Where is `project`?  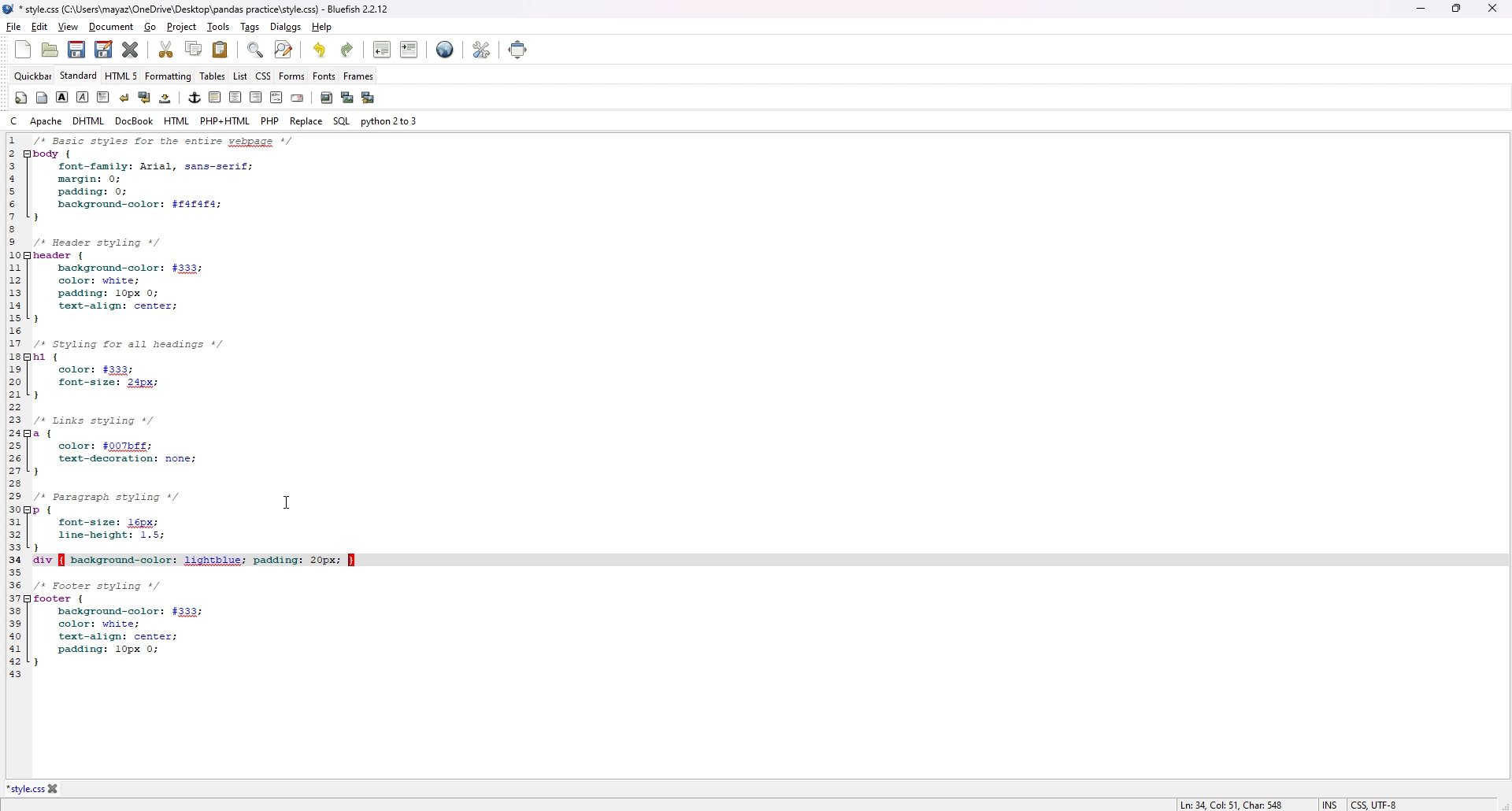
project is located at coordinates (182, 27).